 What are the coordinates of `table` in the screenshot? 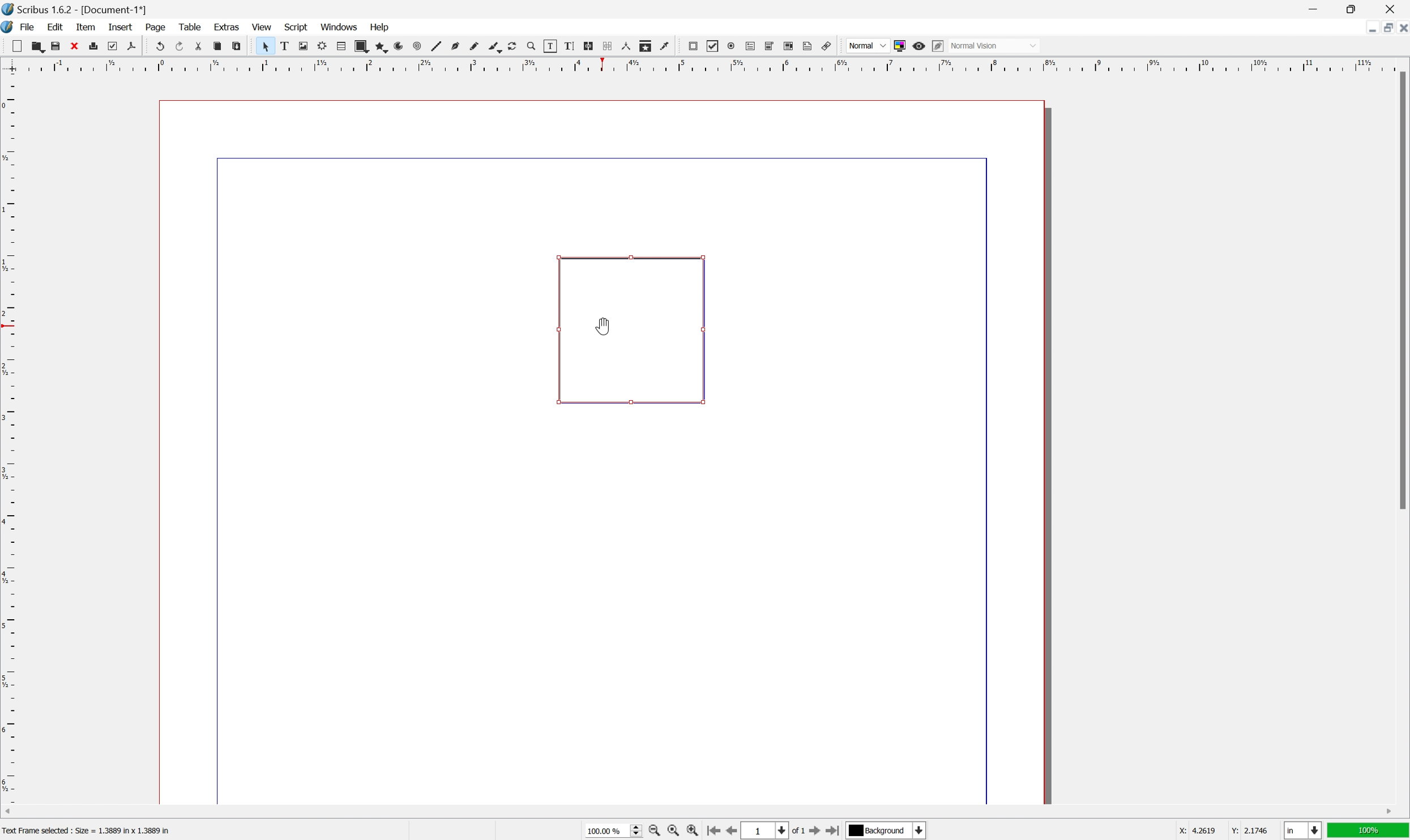 It's located at (341, 46).